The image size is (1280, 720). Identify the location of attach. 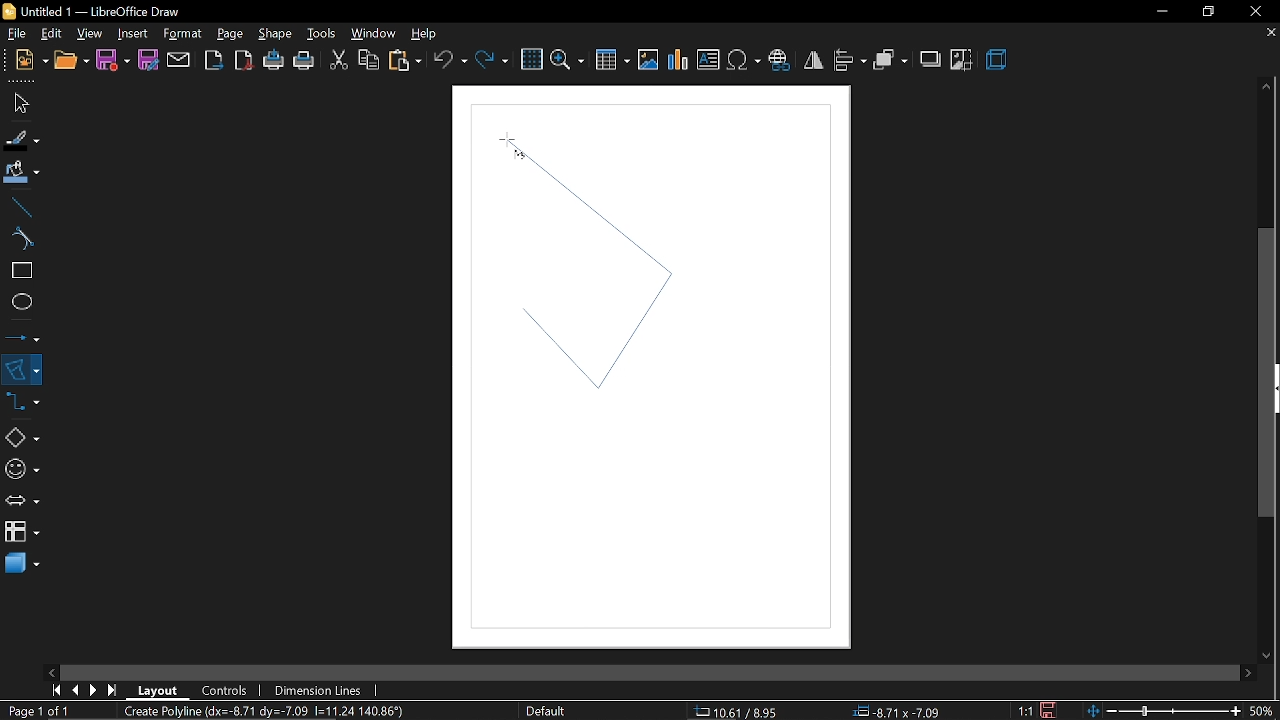
(178, 60).